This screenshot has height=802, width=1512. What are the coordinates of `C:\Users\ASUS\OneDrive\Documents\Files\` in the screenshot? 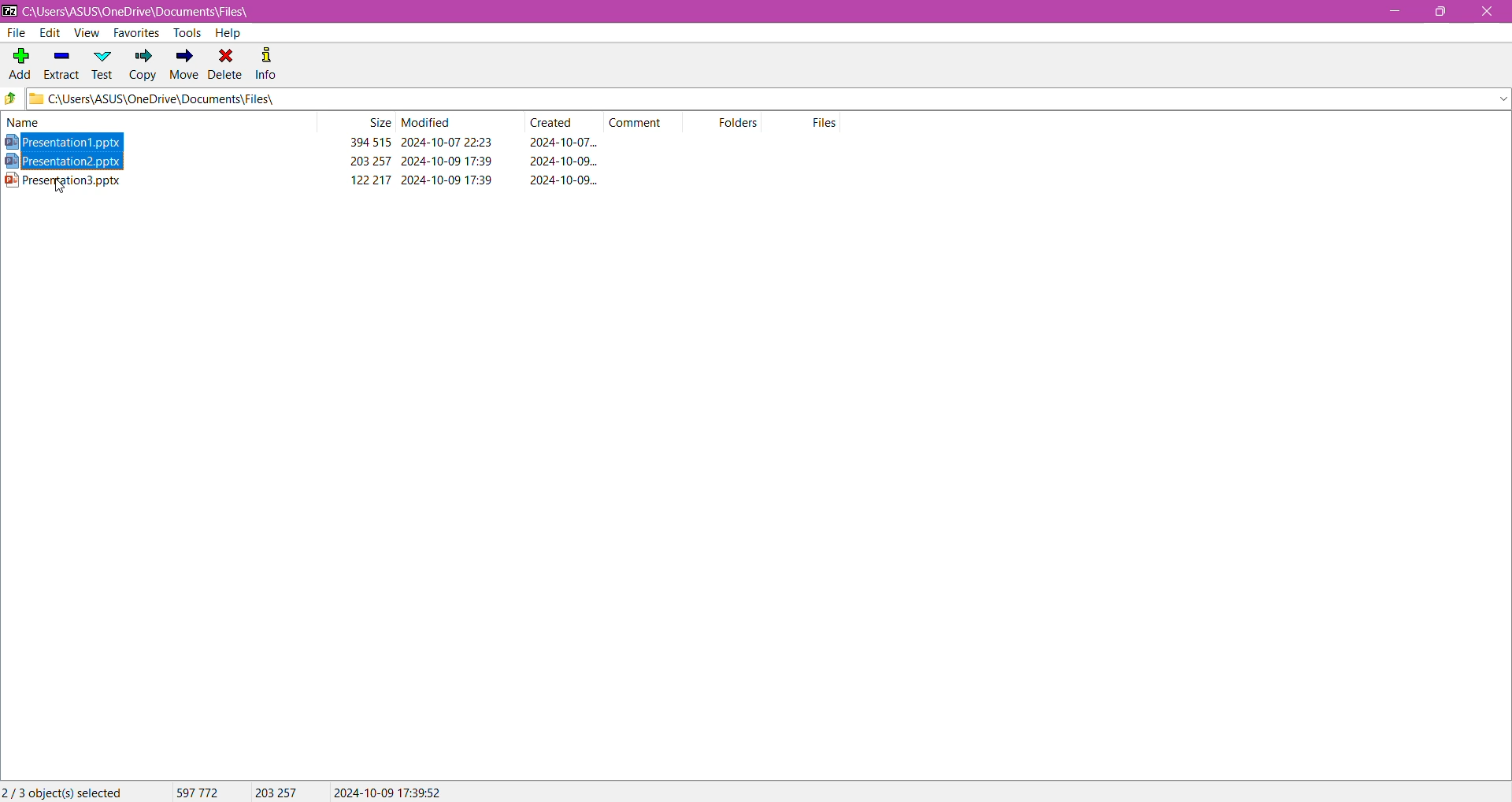 It's located at (150, 12).